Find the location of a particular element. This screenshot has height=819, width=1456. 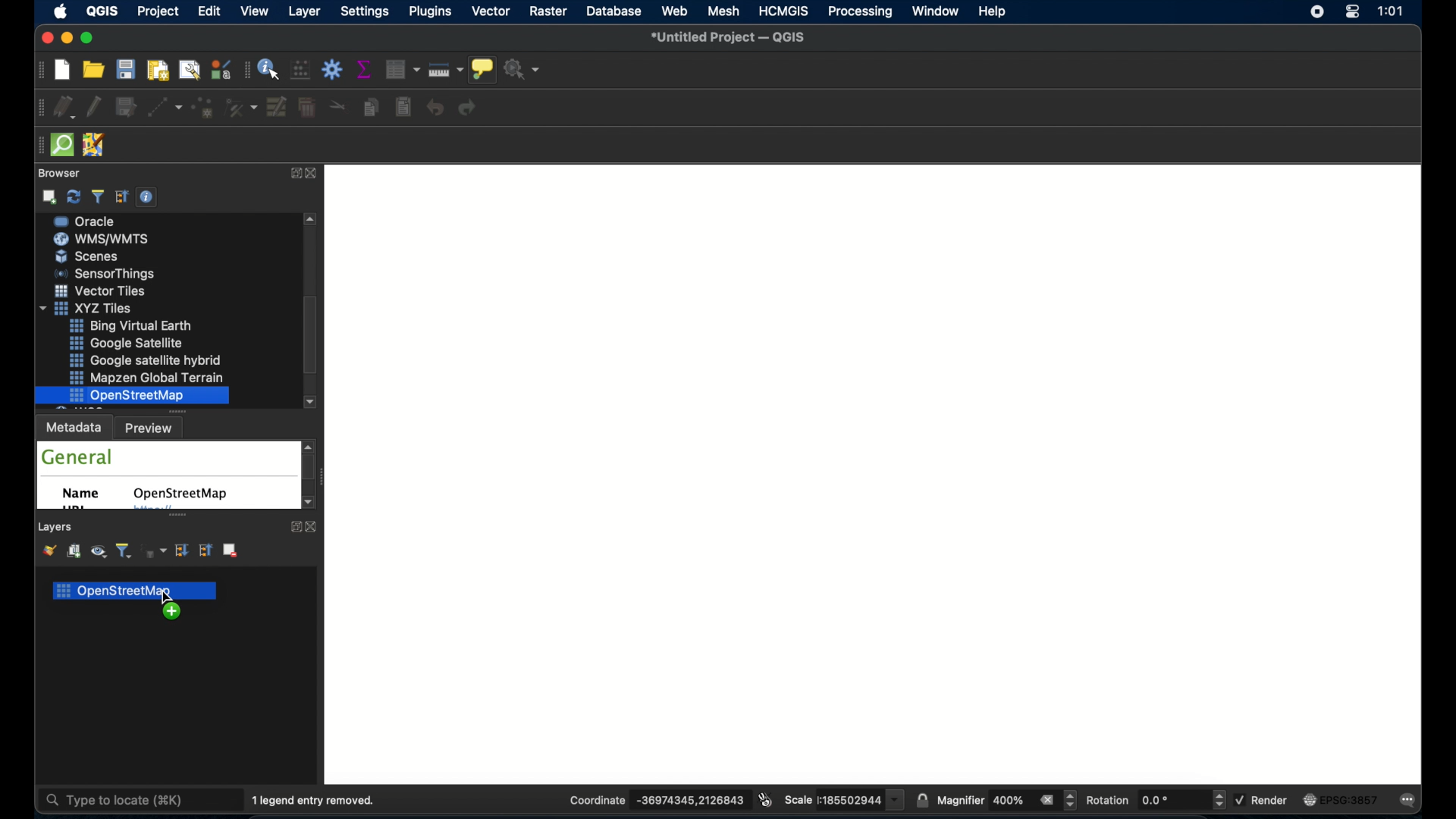

layers is located at coordinates (57, 527).